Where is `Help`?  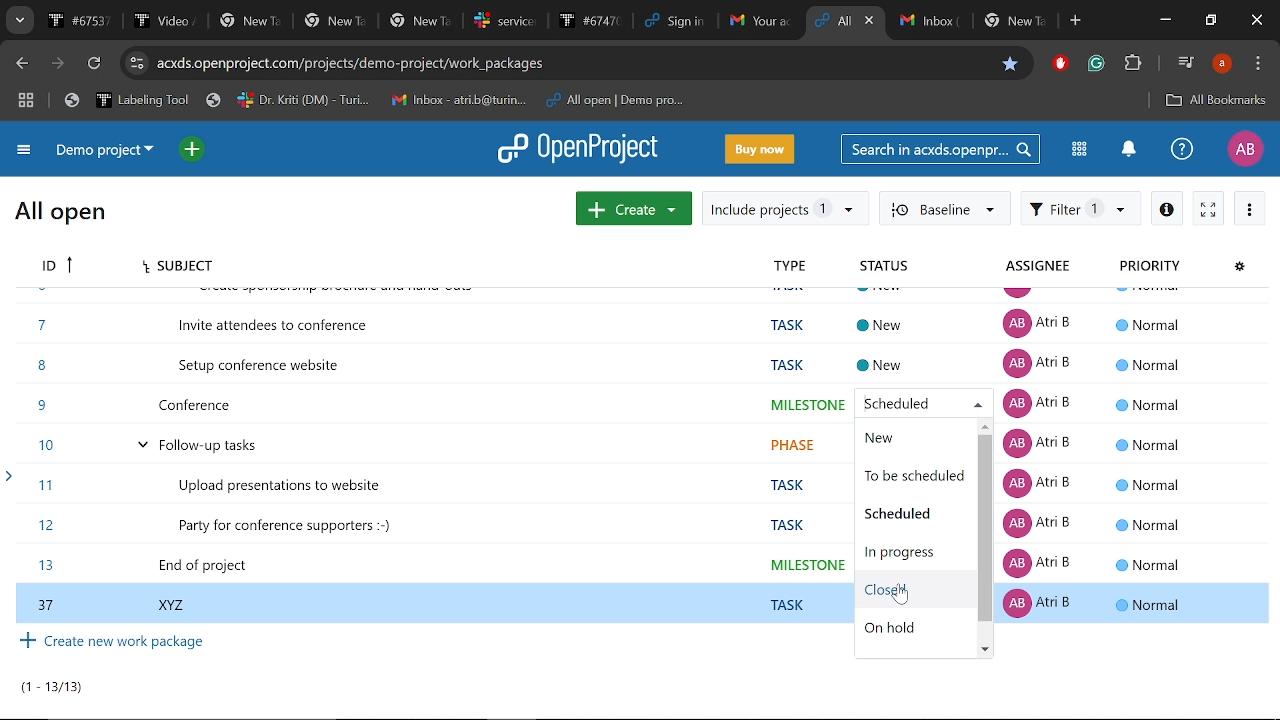
Help is located at coordinates (1182, 149).